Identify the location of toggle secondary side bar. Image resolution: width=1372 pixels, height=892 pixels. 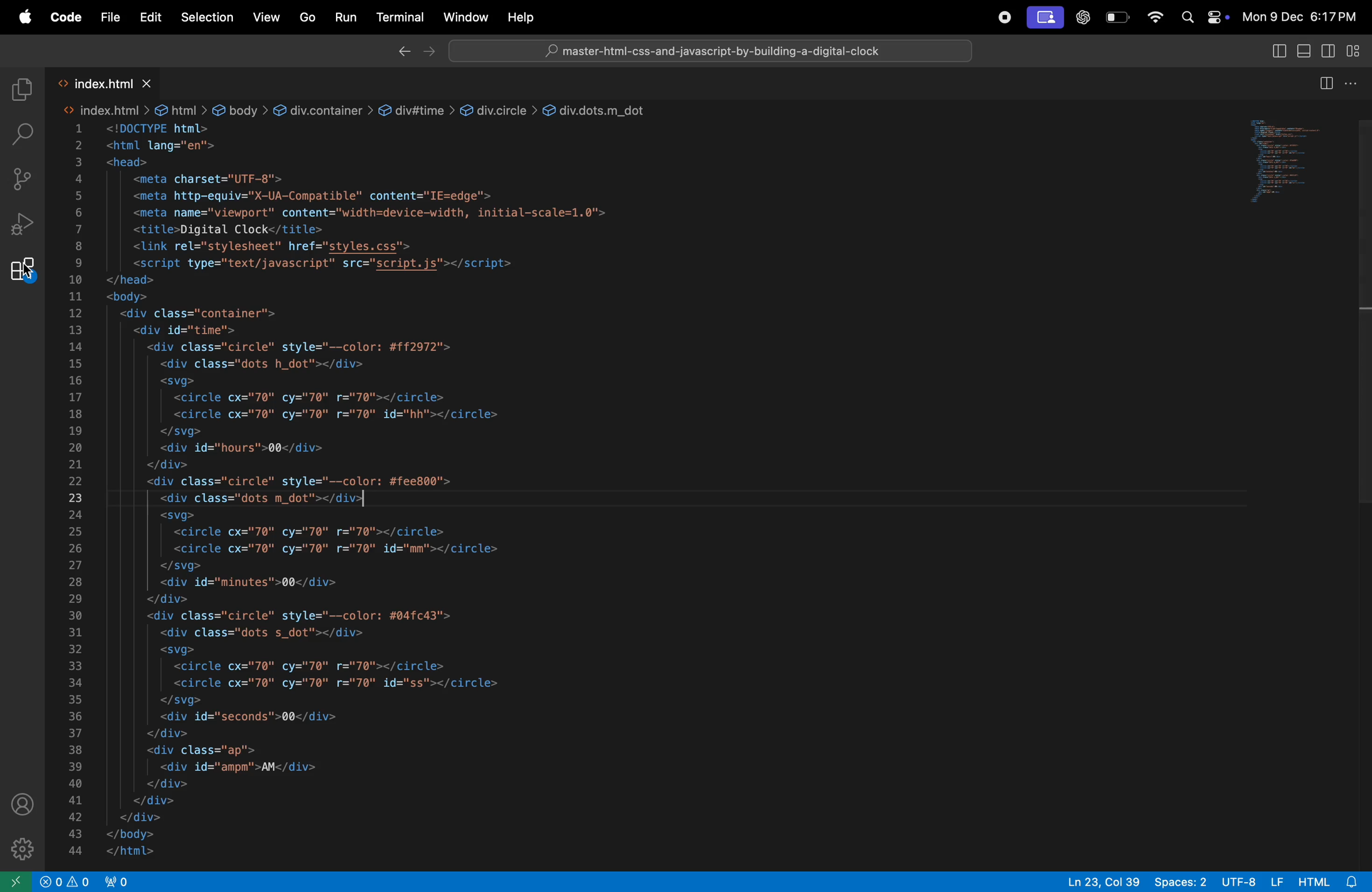
(1328, 51).